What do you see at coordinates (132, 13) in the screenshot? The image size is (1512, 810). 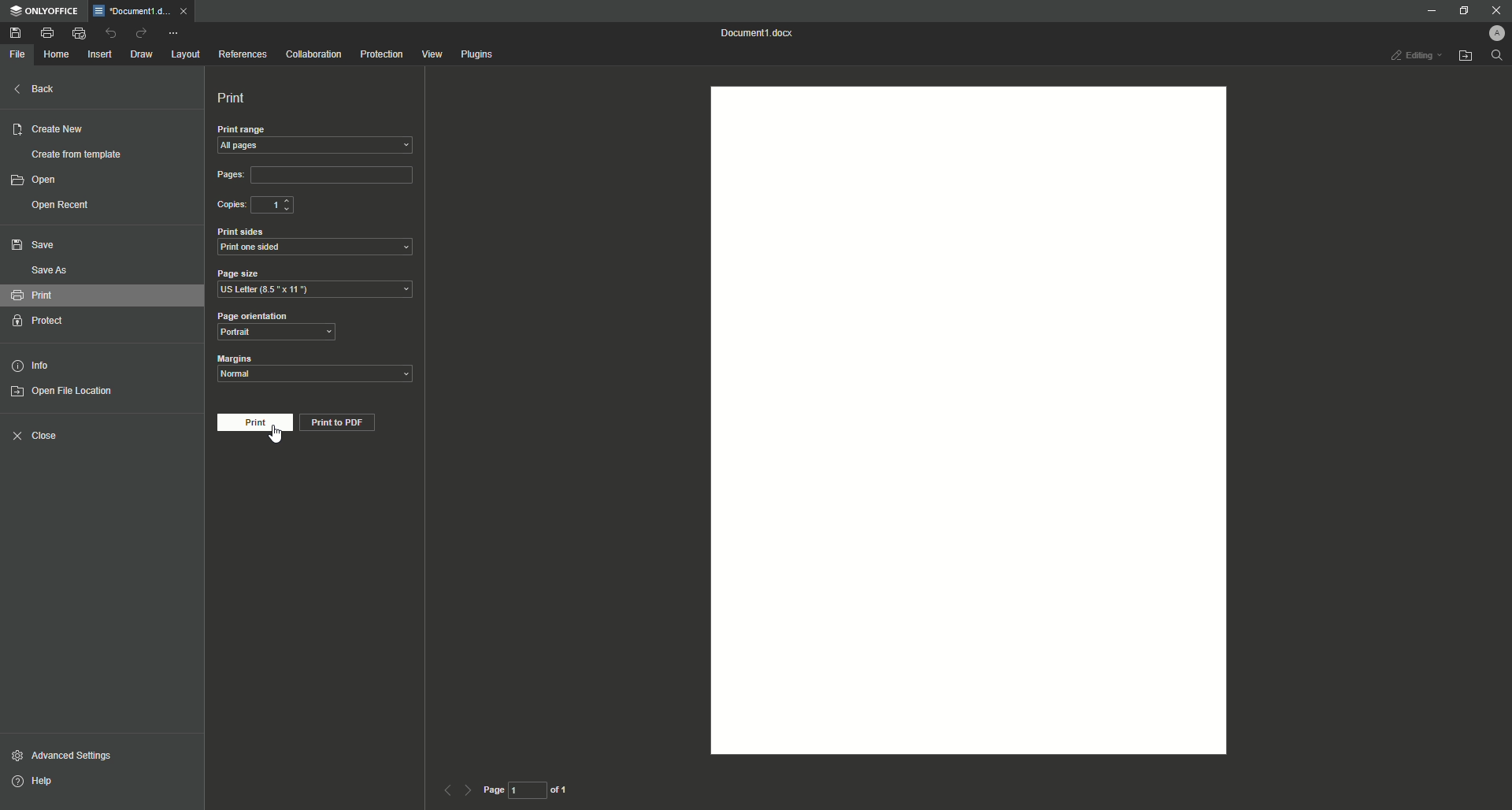 I see `Tab 1` at bounding box center [132, 13].